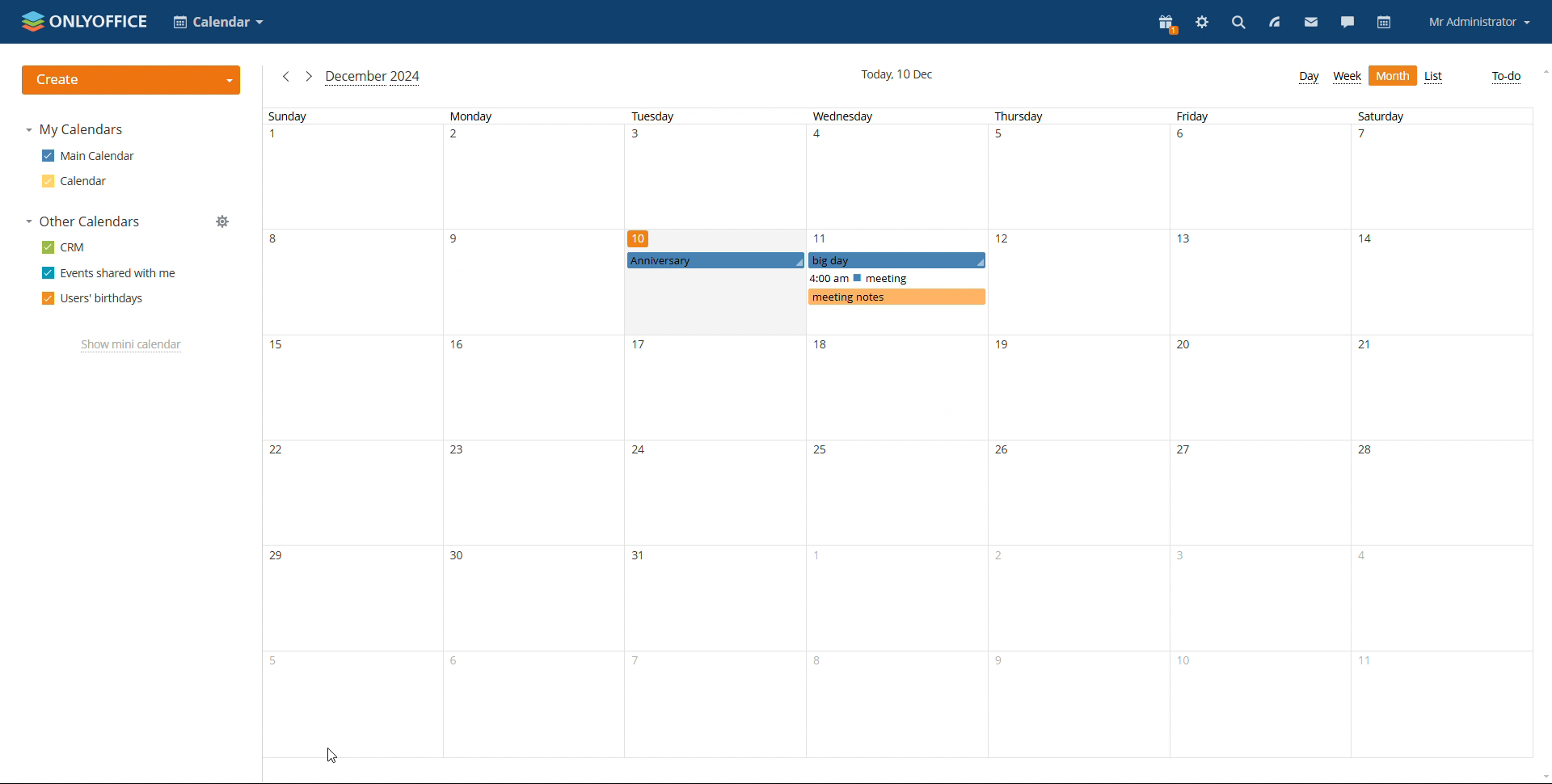 The image size is (1552, 784). Describe the element at coordinates (1508, 77) in the screenshot. I see `to-do` at that location.